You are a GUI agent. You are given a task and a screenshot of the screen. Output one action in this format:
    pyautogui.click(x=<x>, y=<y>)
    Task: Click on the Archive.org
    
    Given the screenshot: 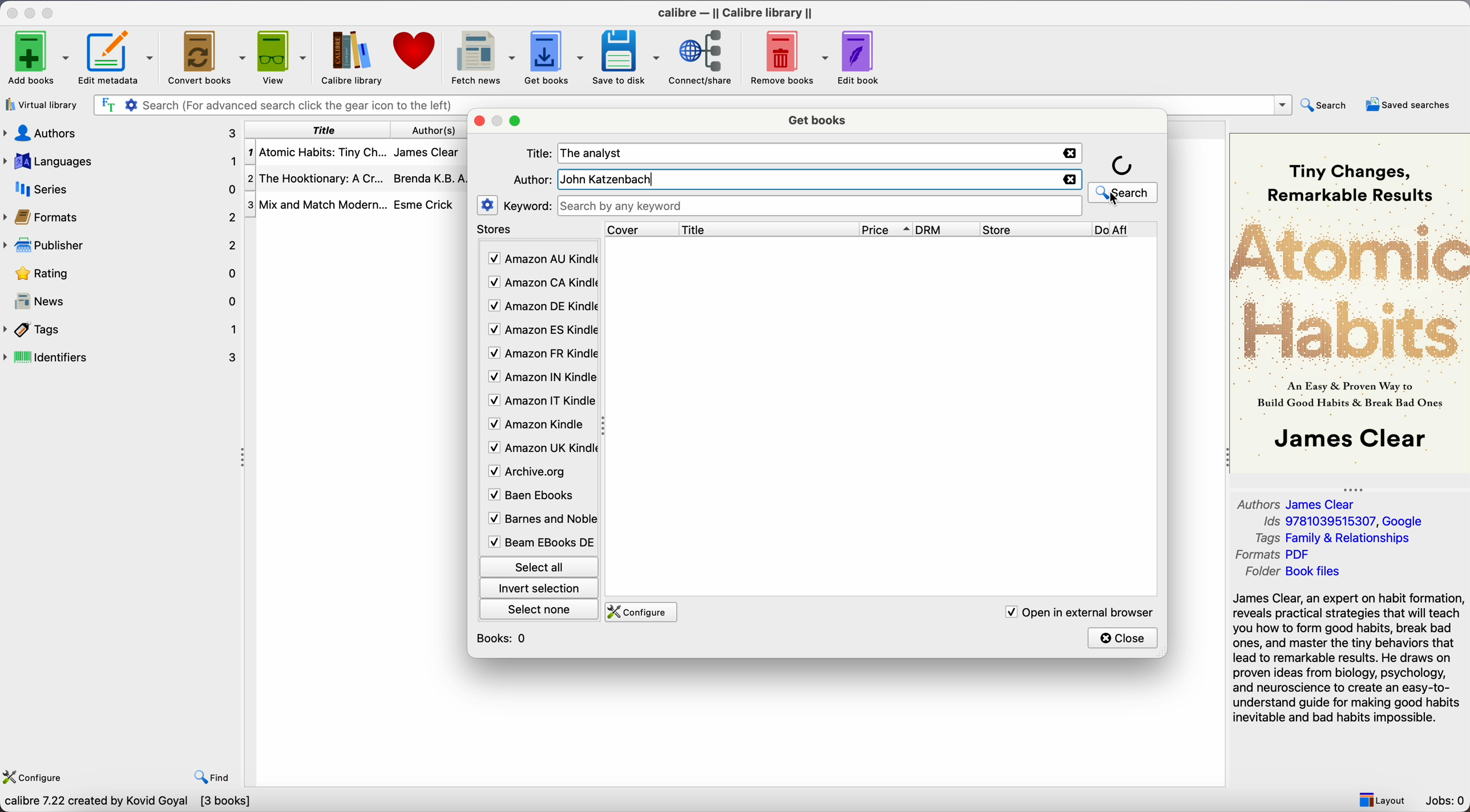 What is the action you would take?
    pyautogui.click(x=538, y=472)
    